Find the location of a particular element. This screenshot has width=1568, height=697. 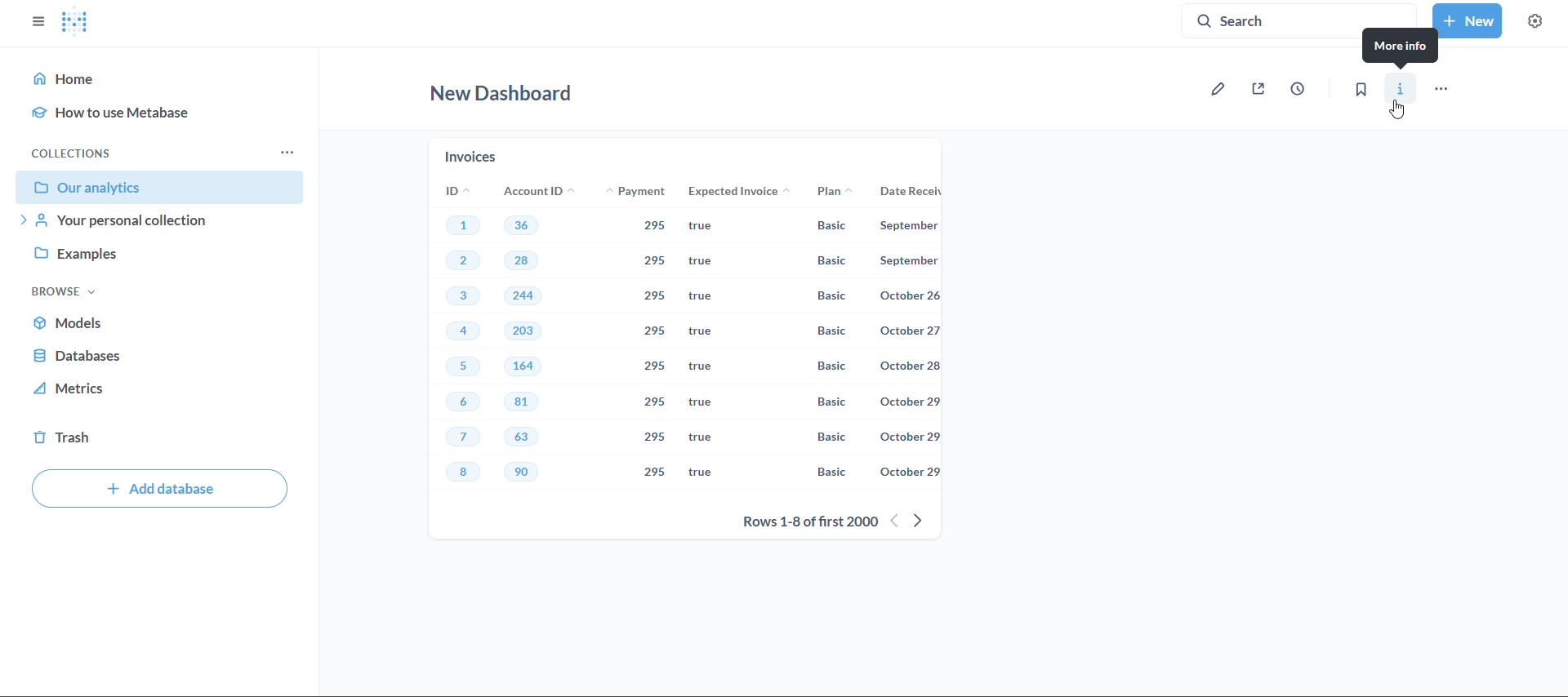

203 is located at coordinates (526, 332).